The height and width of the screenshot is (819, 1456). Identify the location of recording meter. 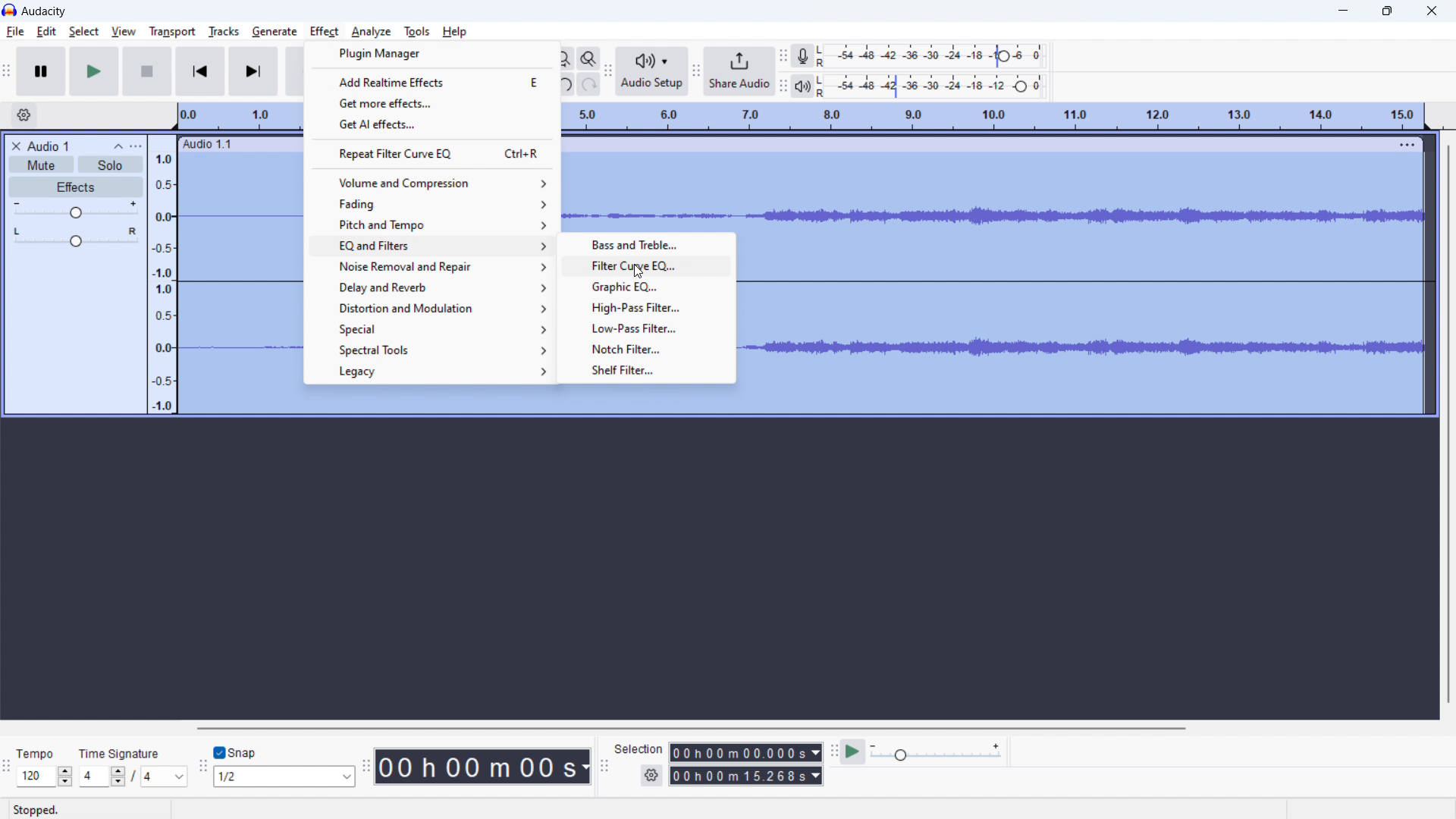
(807, 55).